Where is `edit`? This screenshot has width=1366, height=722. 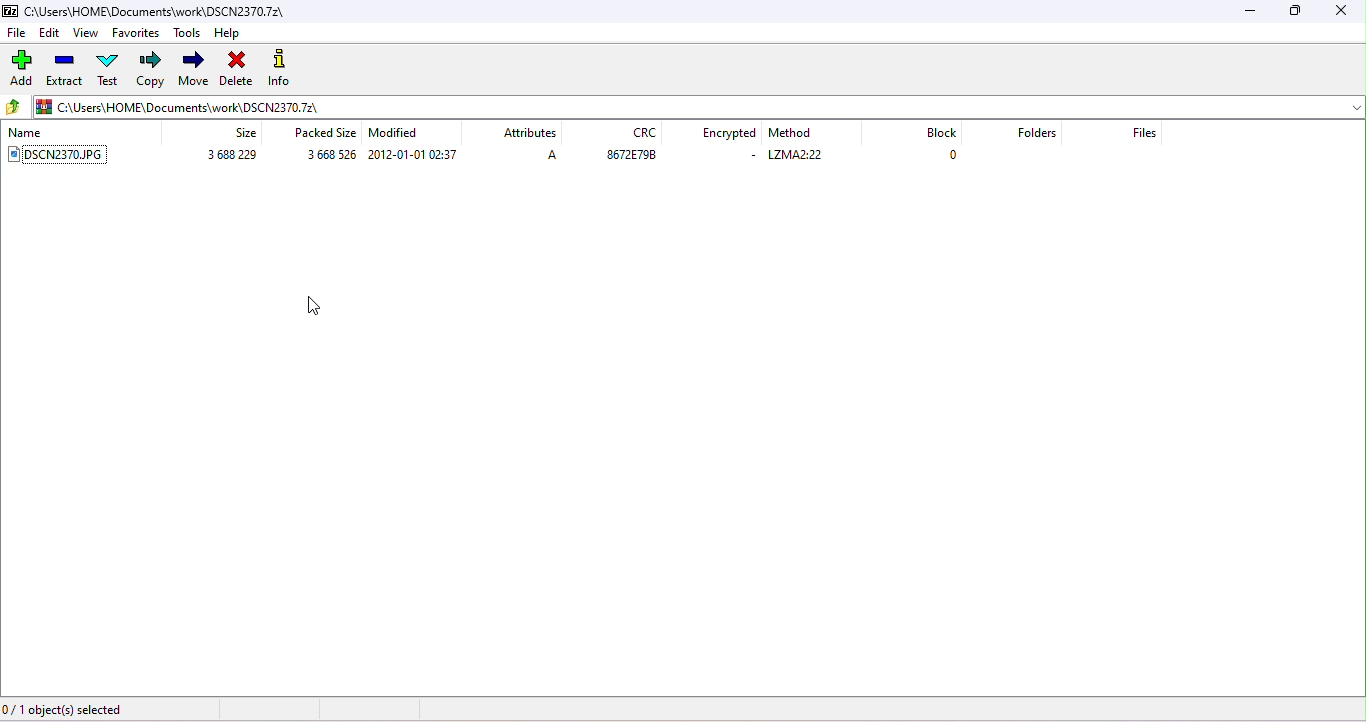
edit is located at coordinates (50, 33).